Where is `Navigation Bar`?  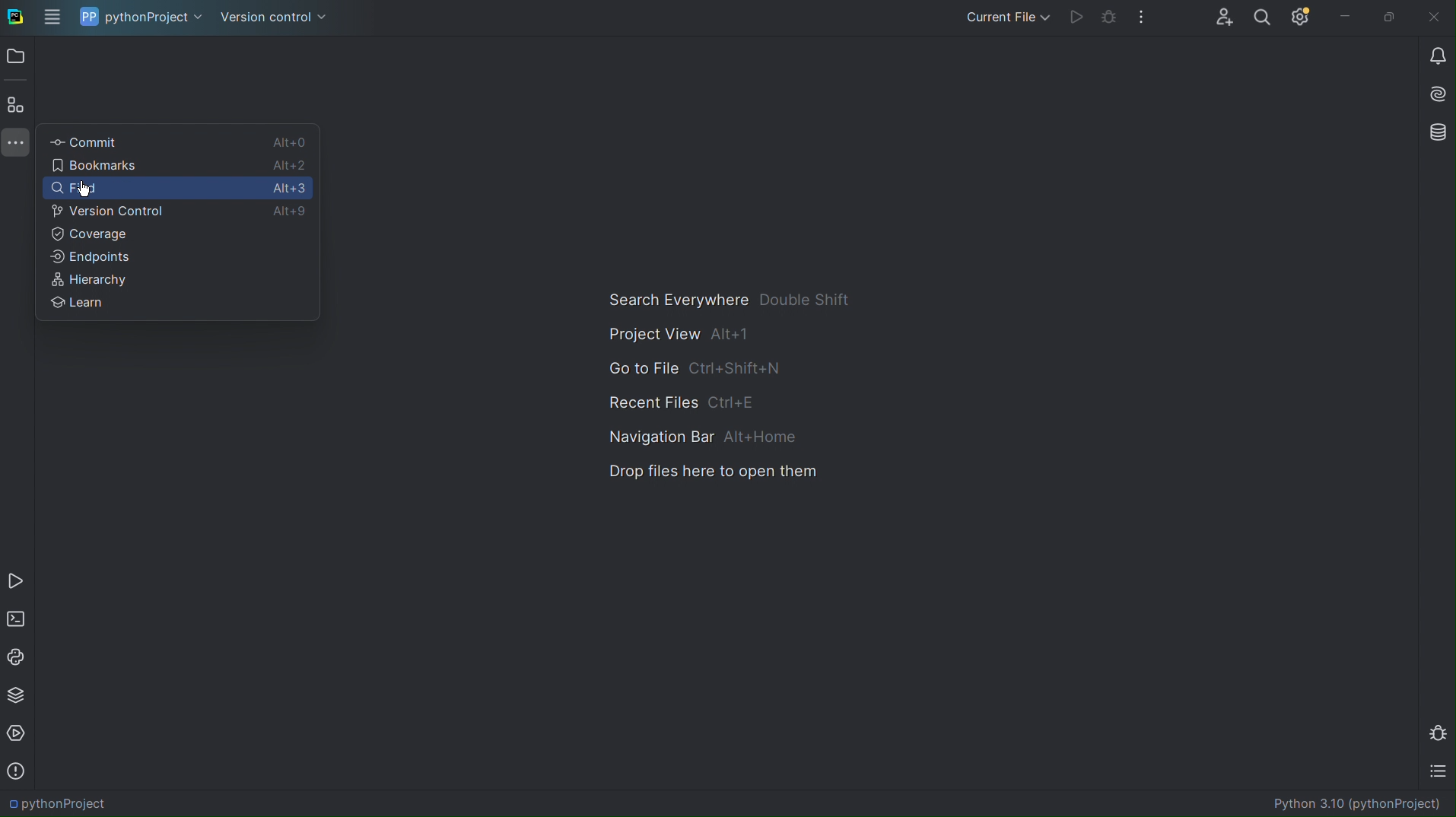
Navigation Bar is located at coordinates (698, 434).